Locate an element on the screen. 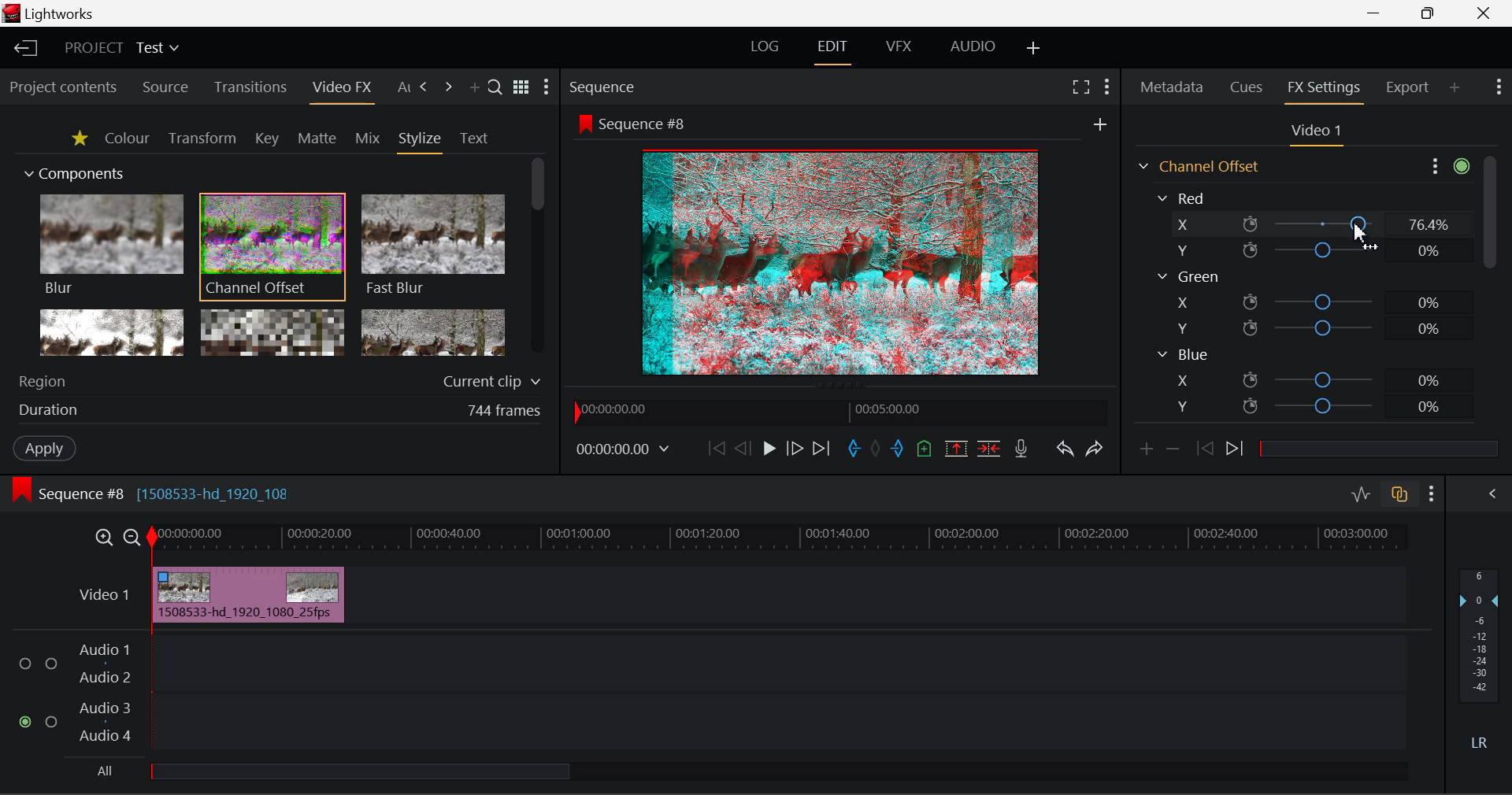 The image size is (1512, 795). Metadata Tab is located at coordinates (1170, 87).